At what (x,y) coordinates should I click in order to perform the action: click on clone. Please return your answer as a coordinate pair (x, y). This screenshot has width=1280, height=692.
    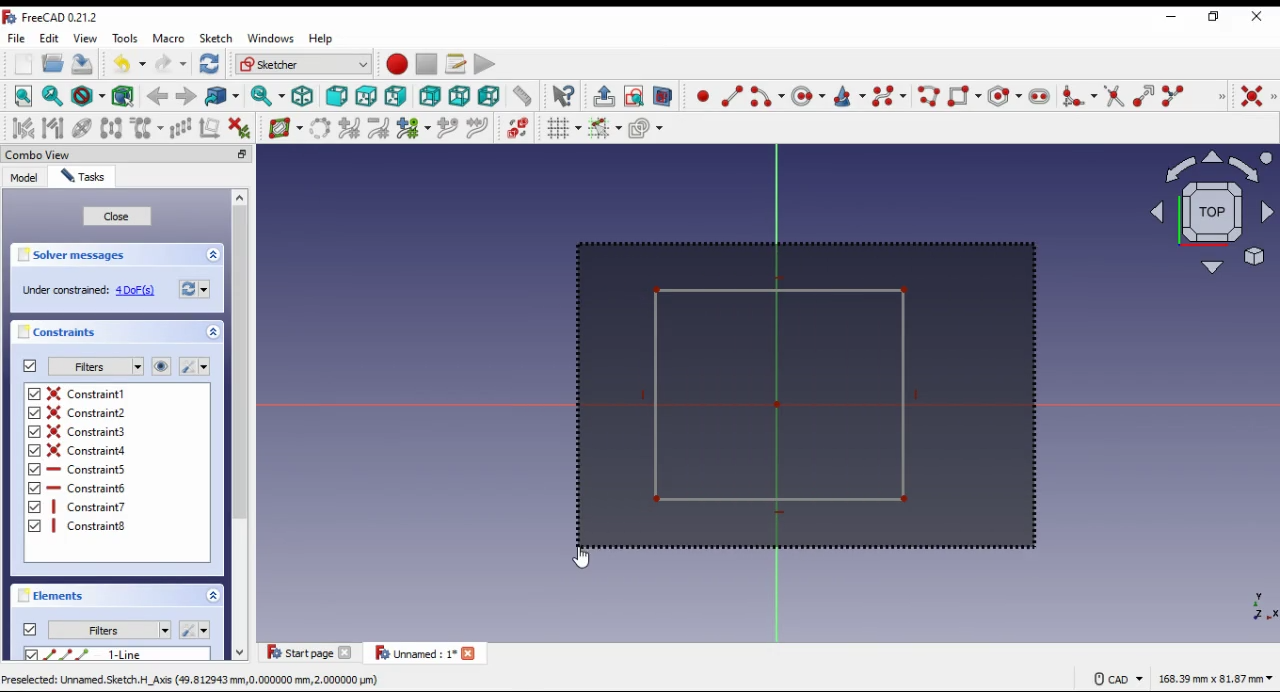
    Looking at the image, I should click on (147, 128).